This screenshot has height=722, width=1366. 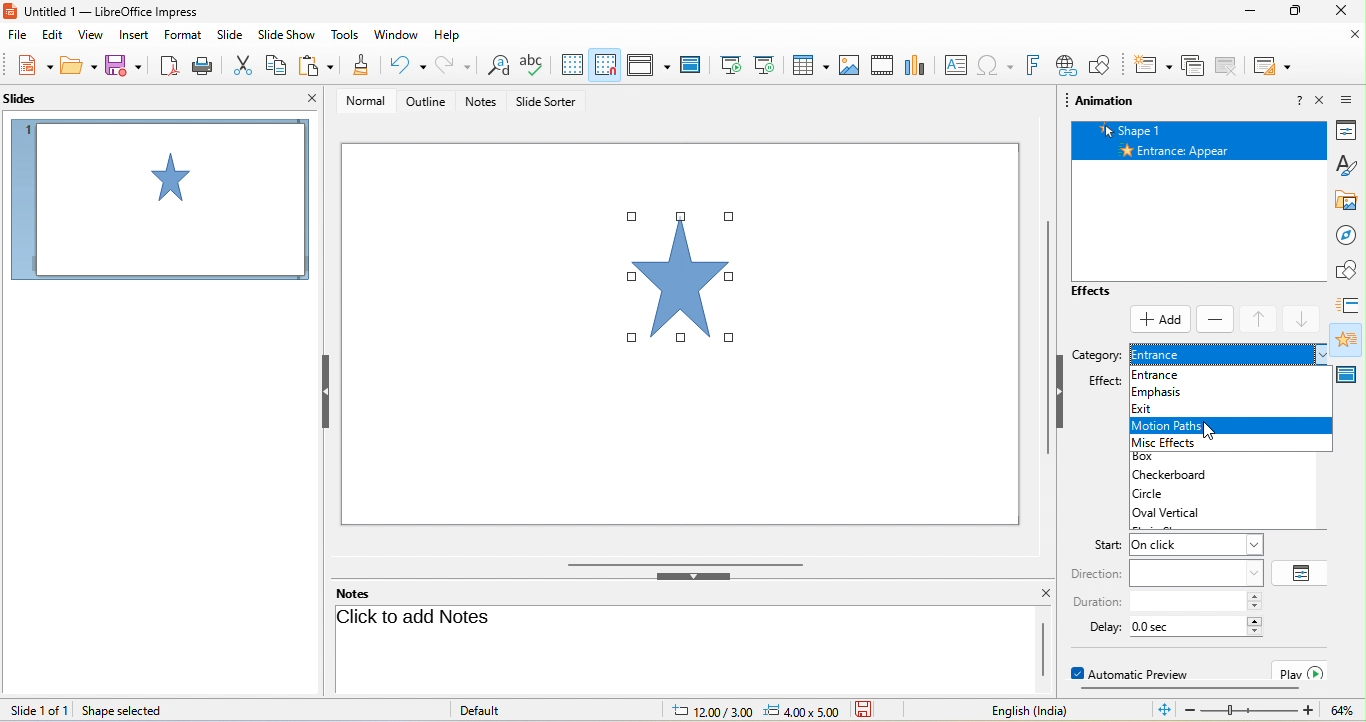 What do you see at coordinates (1255, 596) in the screenshot?
I see `increase duration` at bounding box center [1255, 596].